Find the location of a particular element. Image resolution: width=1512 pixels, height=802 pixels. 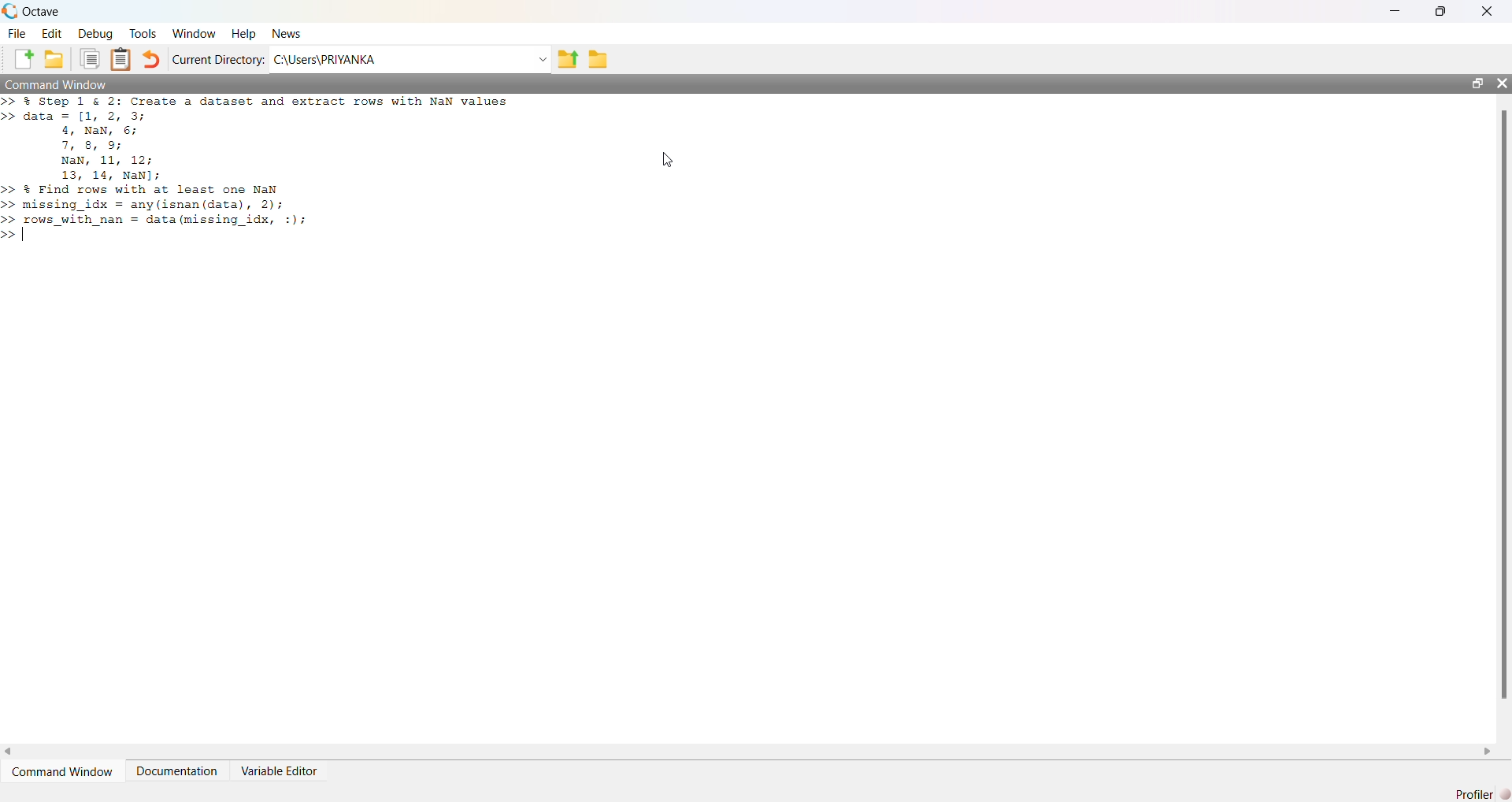

Profiler is located at coordinates (1482, 794).